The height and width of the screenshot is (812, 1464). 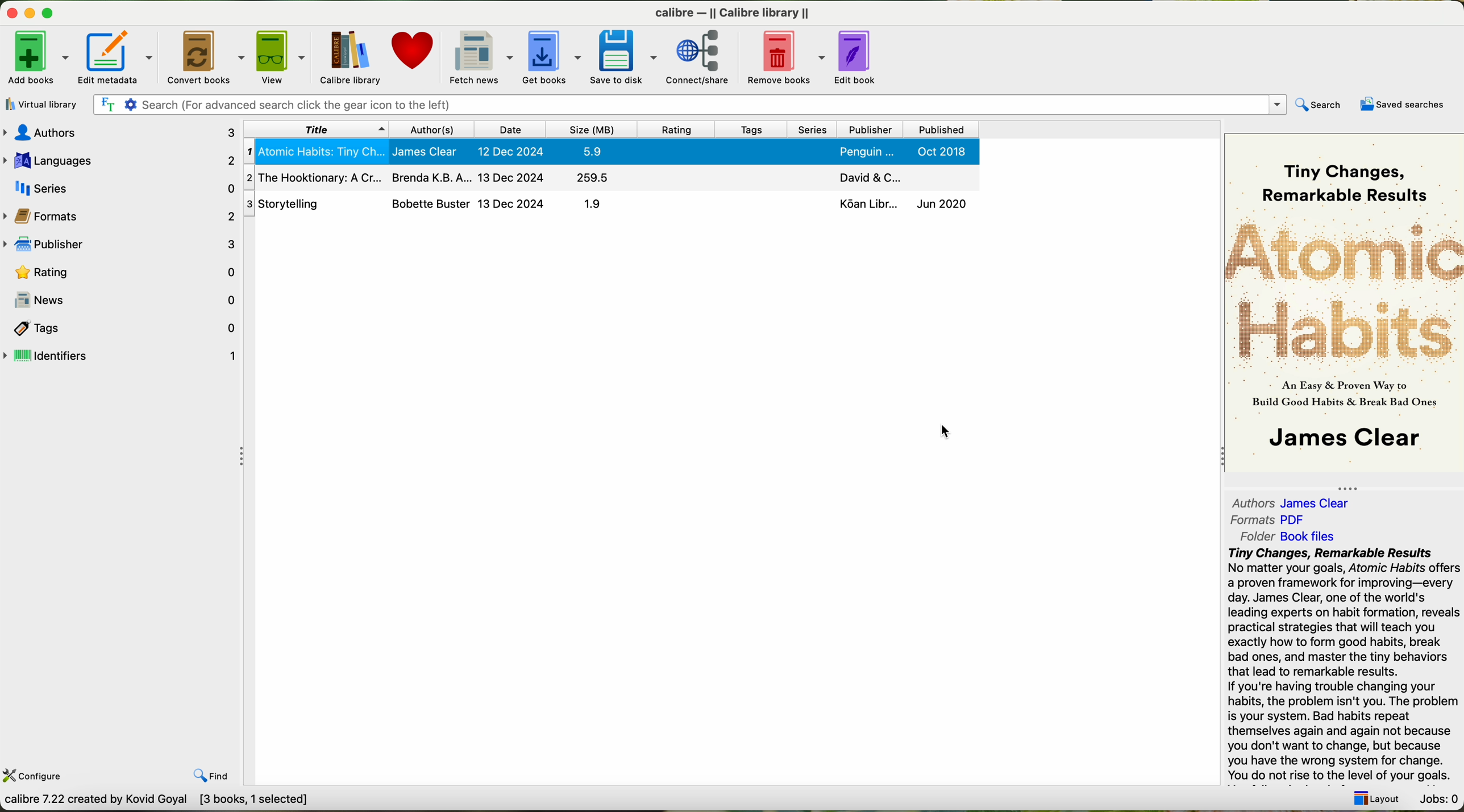 I want to click on Minimize, so click(x=13, y=14).